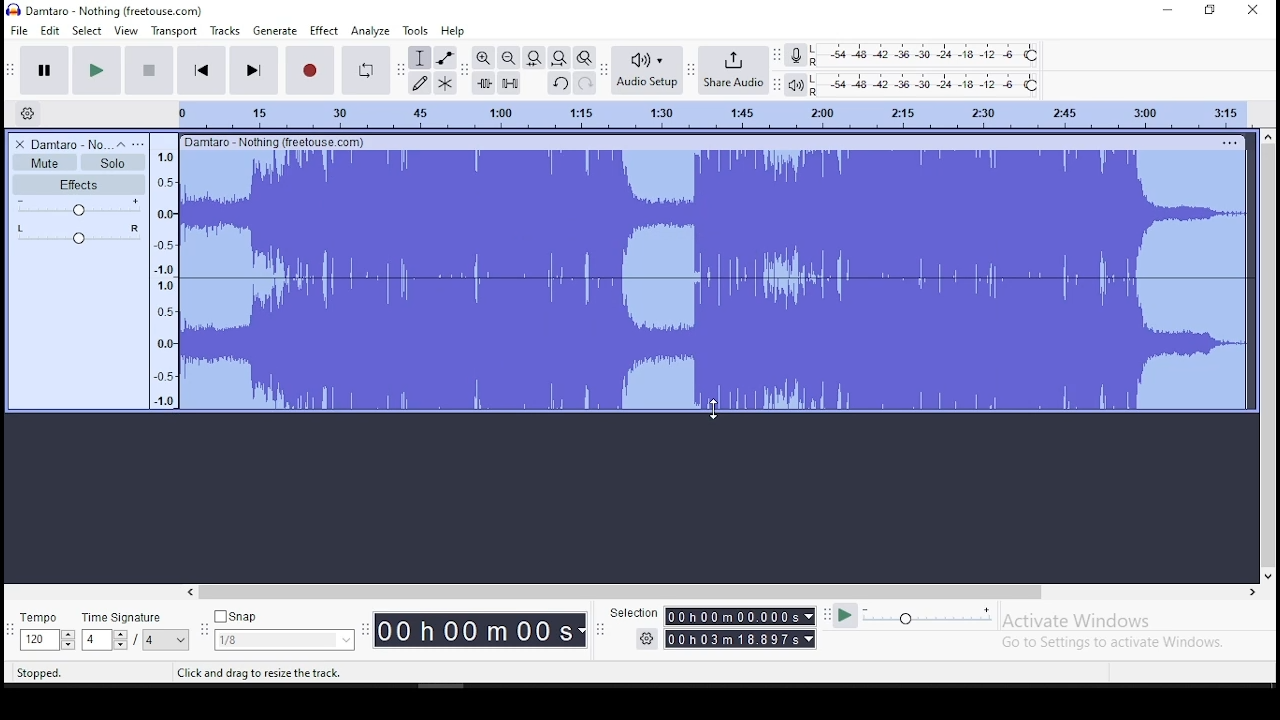 The width and height of the screenshot is (1280, 720). What do you see at coordinates (484, 83) in the screenshot?
I see `trim audio outside selection` at bounding box center [484, 83].